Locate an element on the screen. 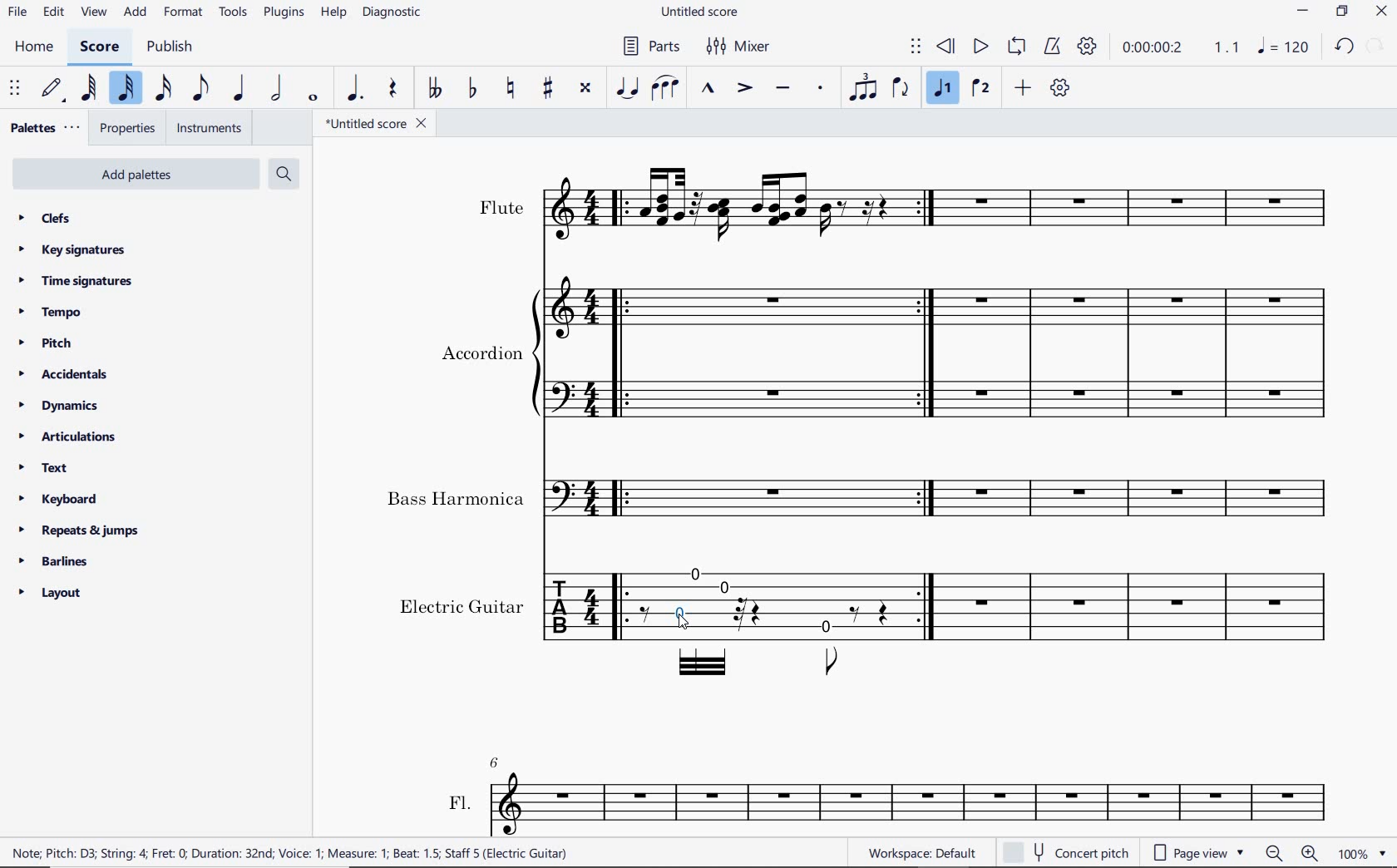  time signatures is located at coordinates (77, 280).